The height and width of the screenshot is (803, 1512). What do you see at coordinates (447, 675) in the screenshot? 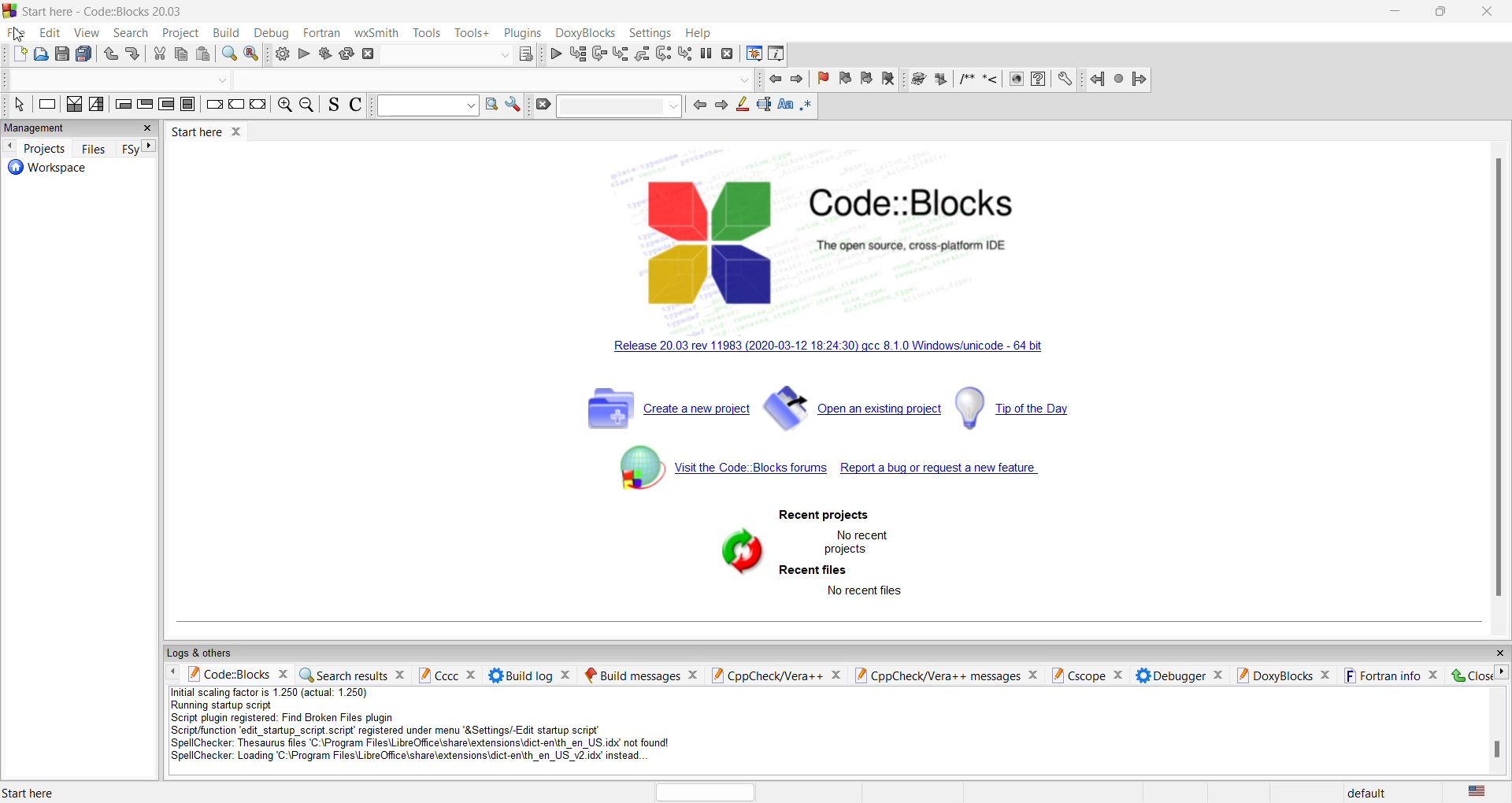
I see `Cccc pane` at bounding box center [447, 675].